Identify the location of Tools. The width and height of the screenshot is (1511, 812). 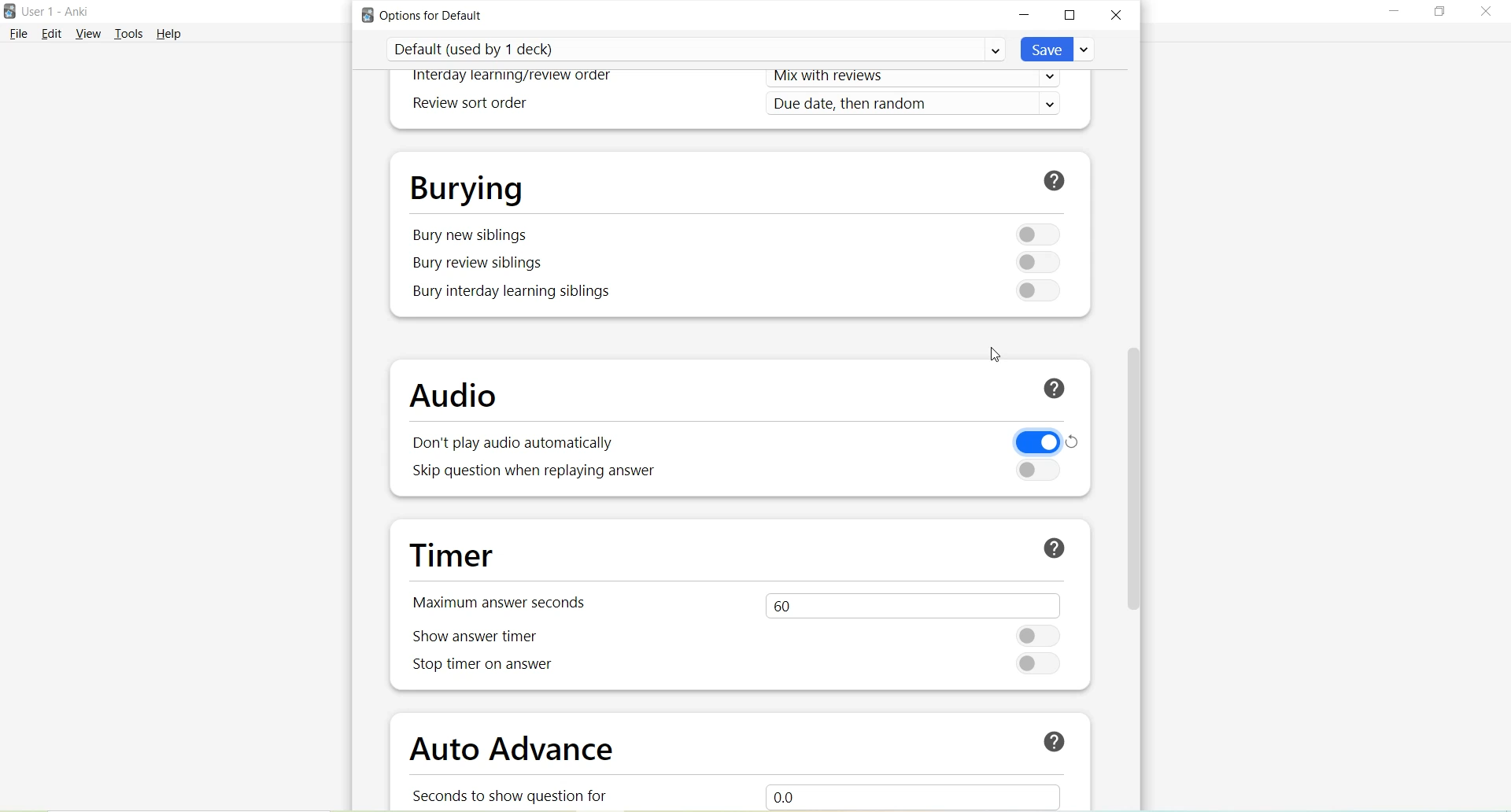
(132, 34).